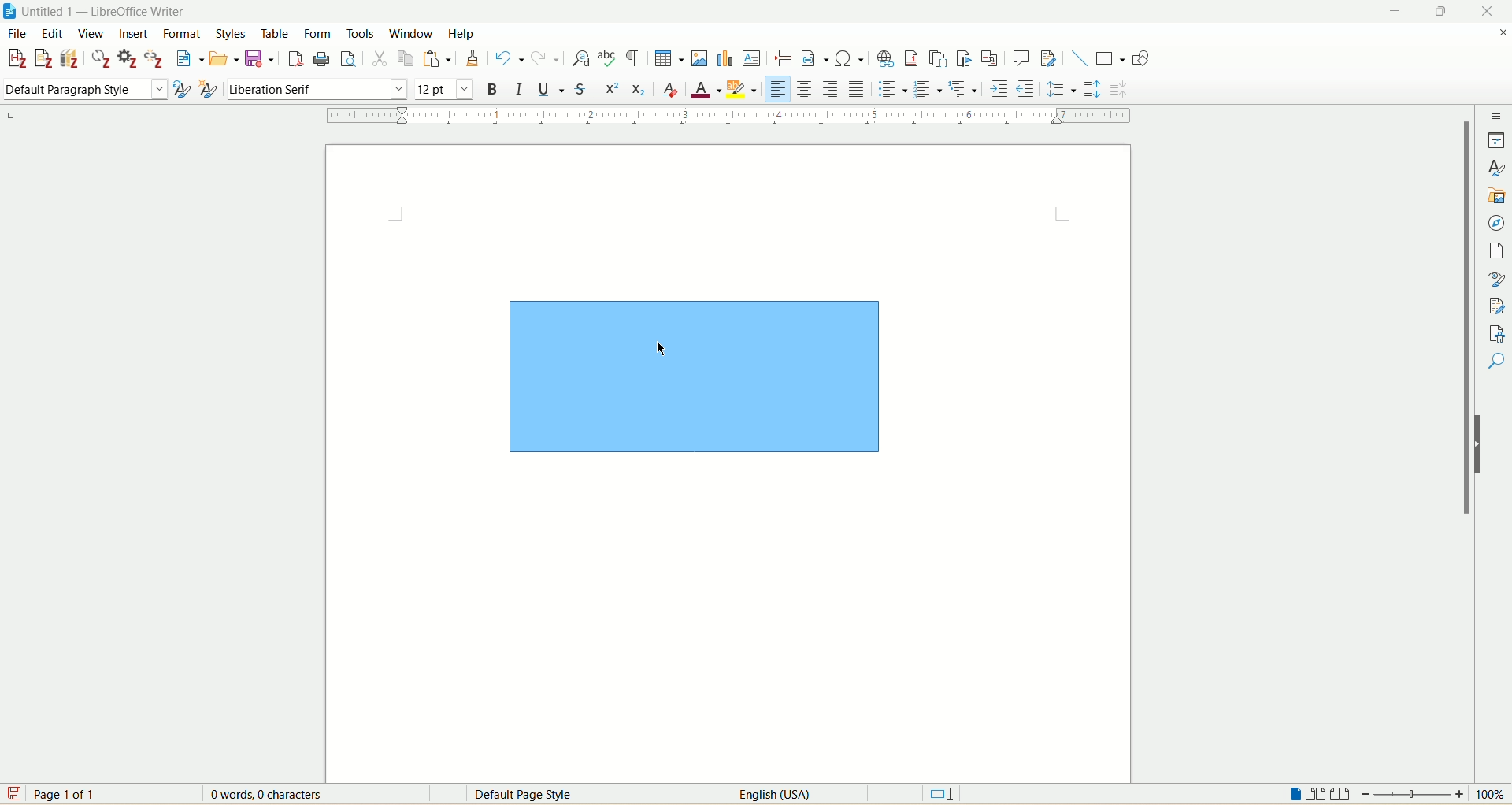 This screenshot has width=1512, height=805. Describe the element at coordinates (850, 58) in the screenshot. I see `insert special character` at that location.